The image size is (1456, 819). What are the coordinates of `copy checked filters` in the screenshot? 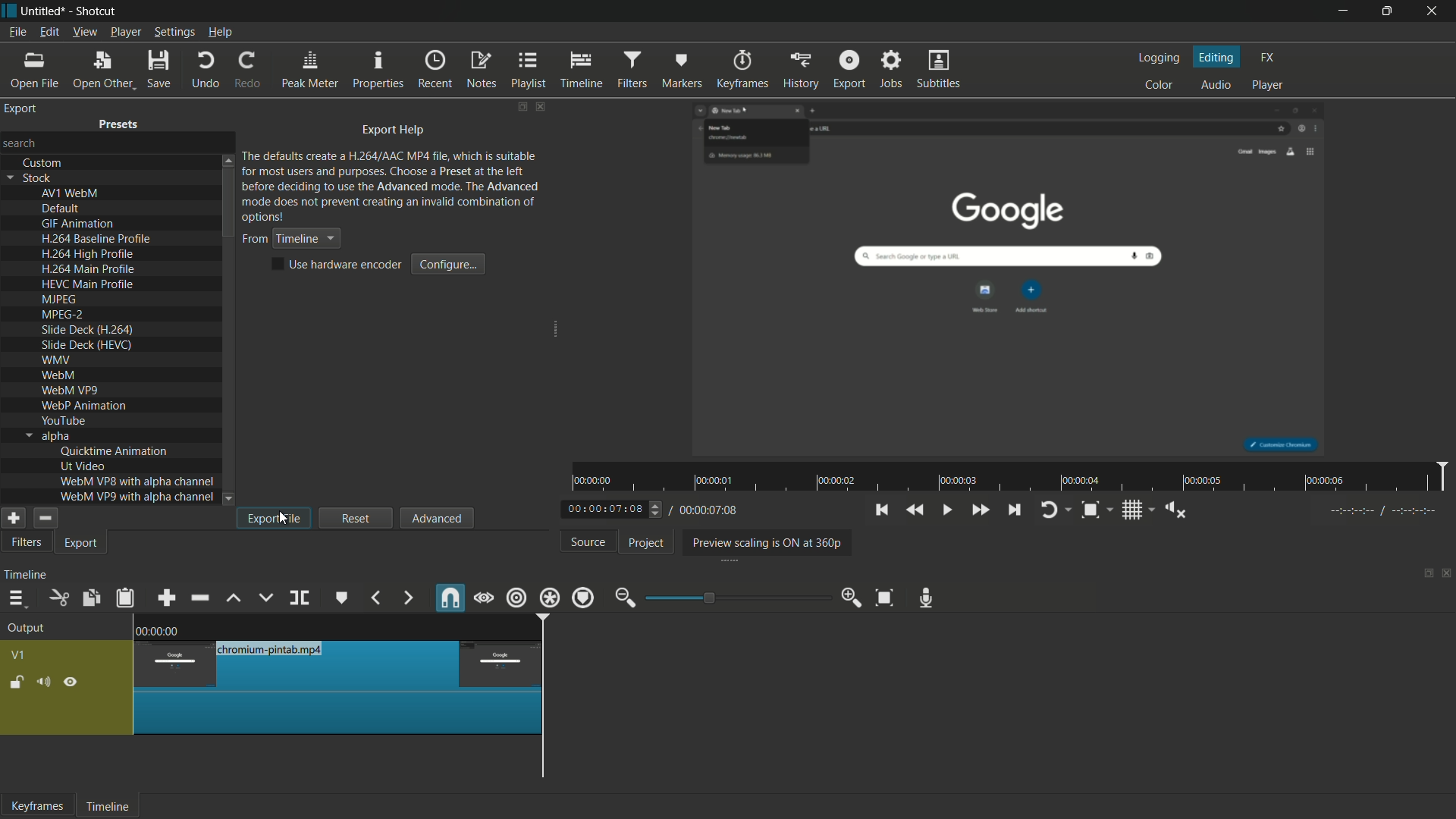 It's located at (89, 599).